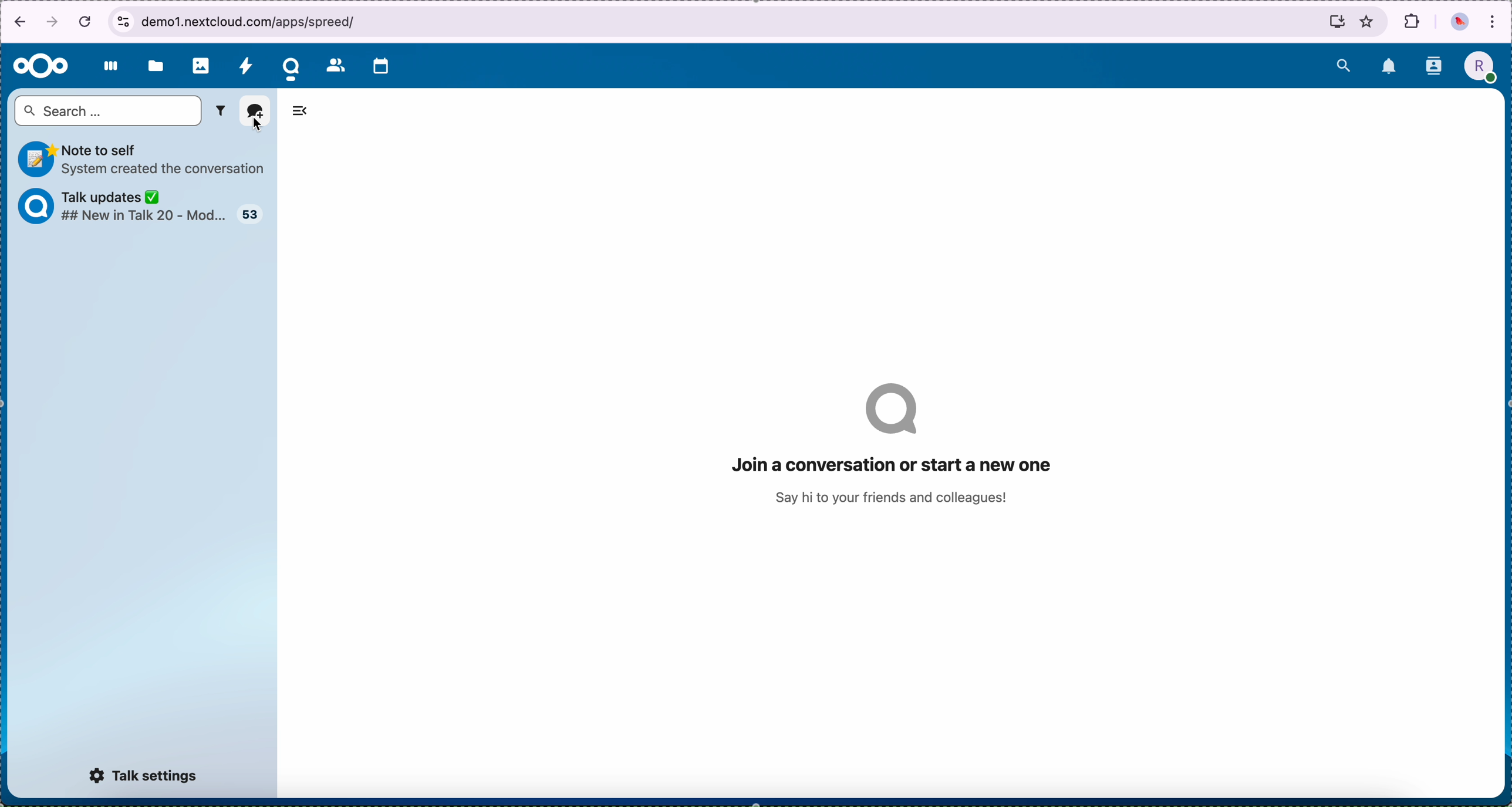 This screenshot has width=1512, height=807. Describe the element at coordinates (247, 214) in the screenshot. I see `talk updates` at that location.